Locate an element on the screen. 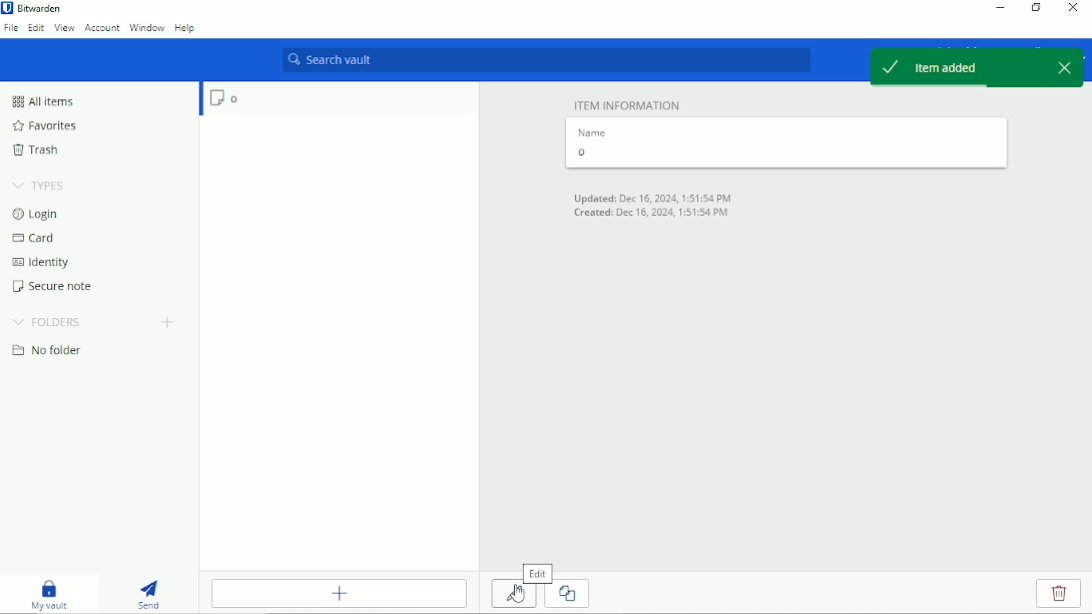 This screenshot has height=614, width=1092. My vault is located at coordinates (49, 593).